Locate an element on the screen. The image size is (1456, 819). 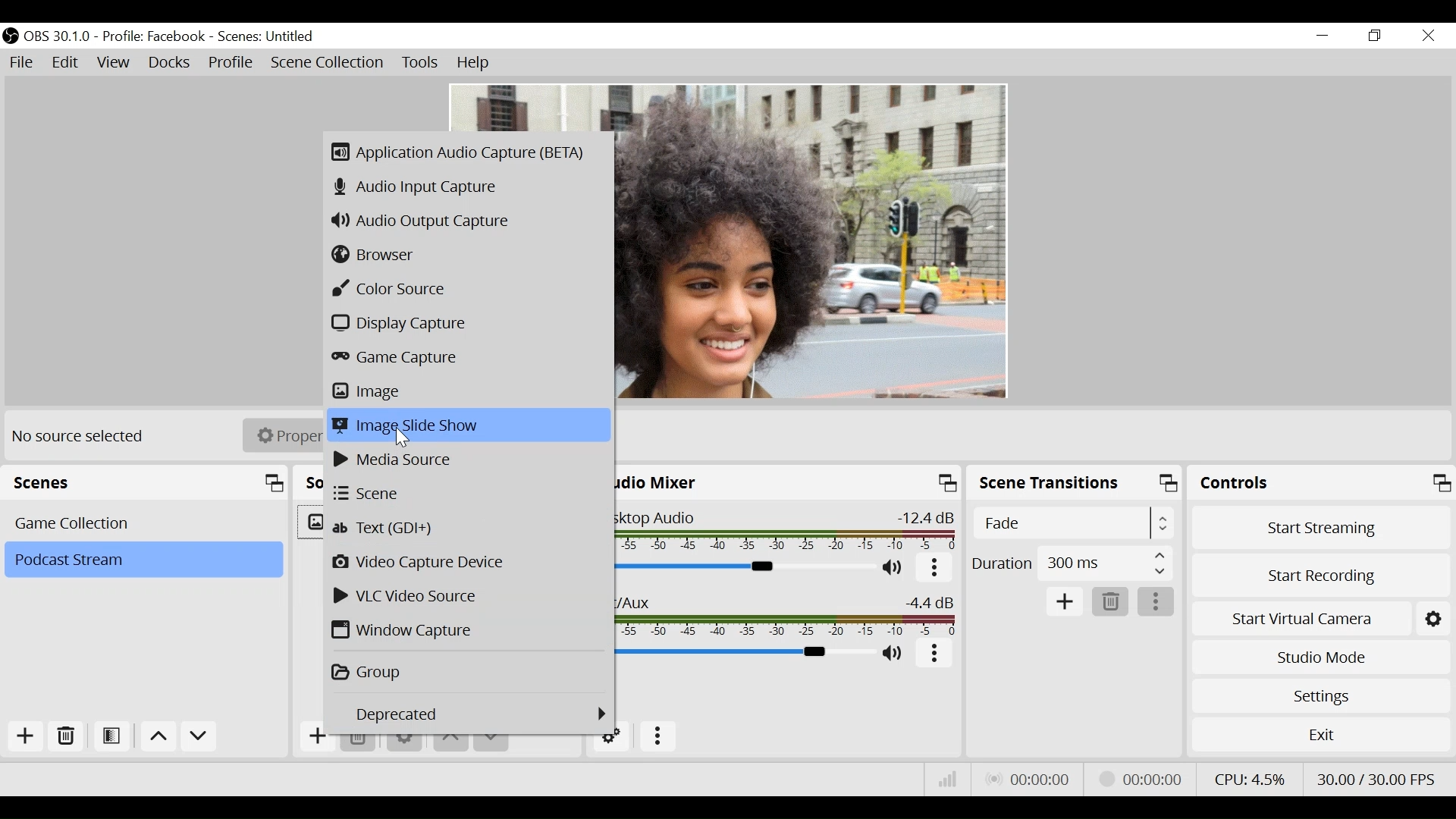
Settings is located at coordinates (1320, 695).